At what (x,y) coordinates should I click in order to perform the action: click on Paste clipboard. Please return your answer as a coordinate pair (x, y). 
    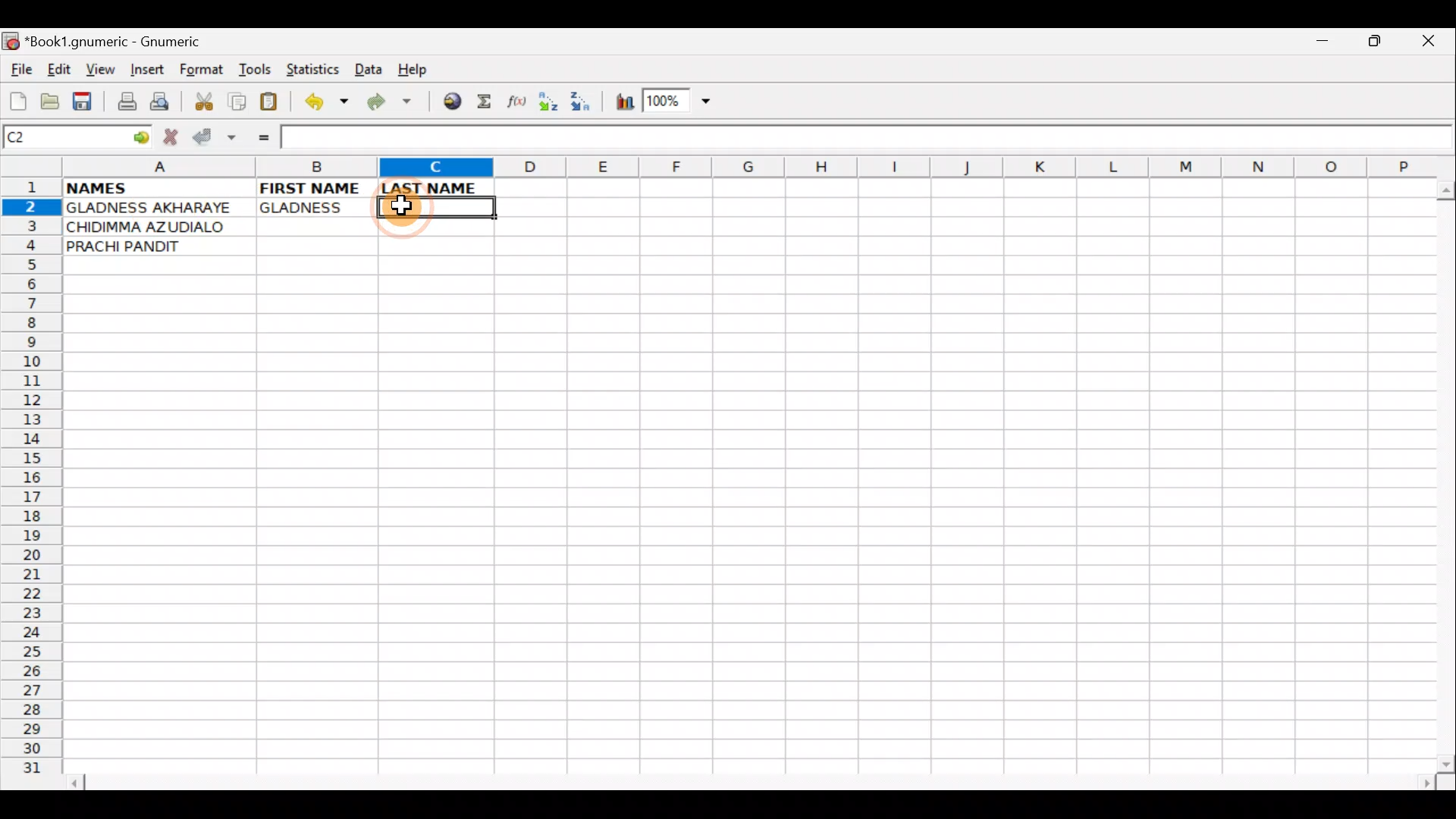
    Looking at the image, I should click on (274, 104).